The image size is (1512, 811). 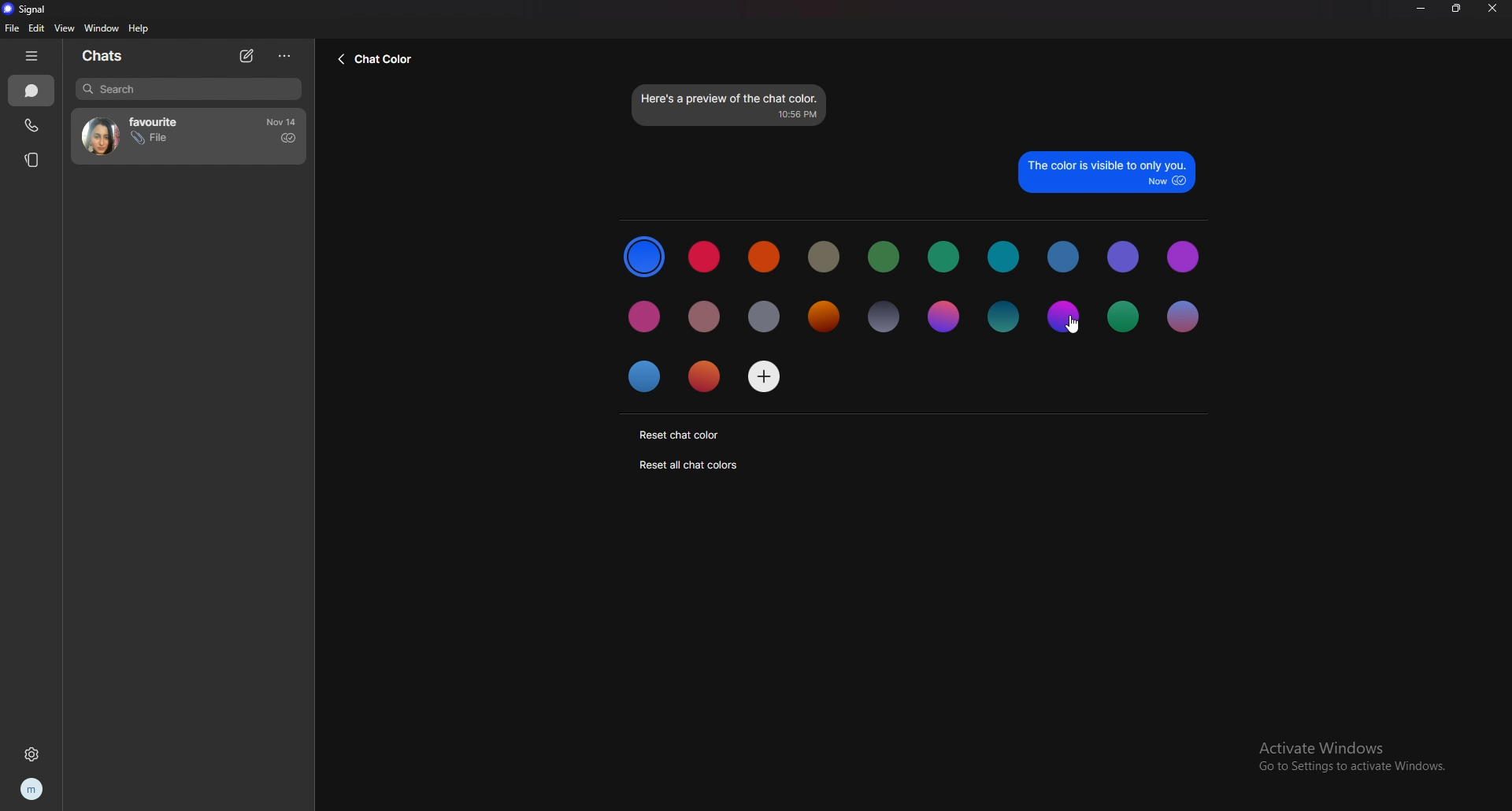 What do you see at coordinates (765, 317) in the screenshot?
I see `color` at bounding box center [765, 317].